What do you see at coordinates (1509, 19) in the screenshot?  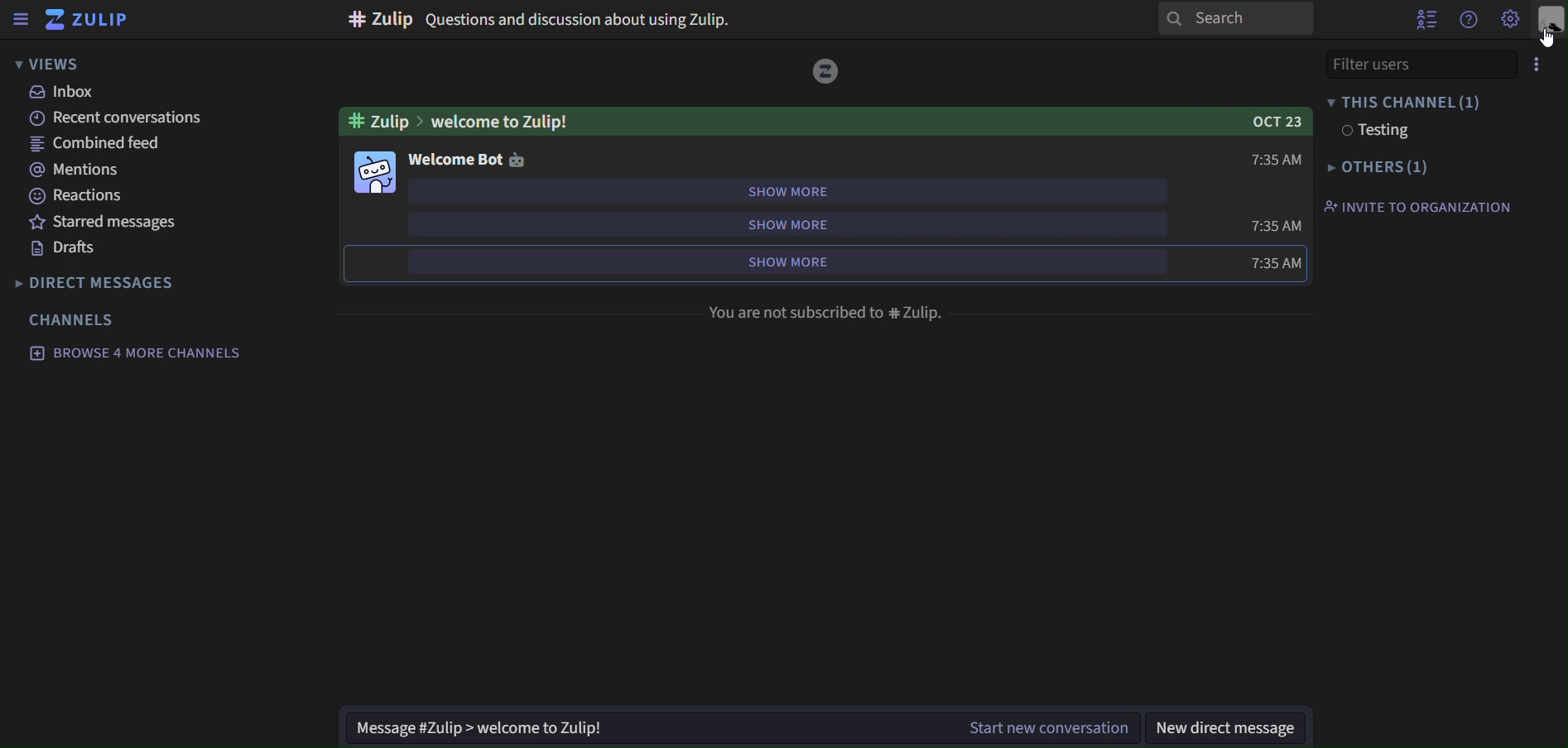 I see `main menu` at bounding box center [1509, 19].